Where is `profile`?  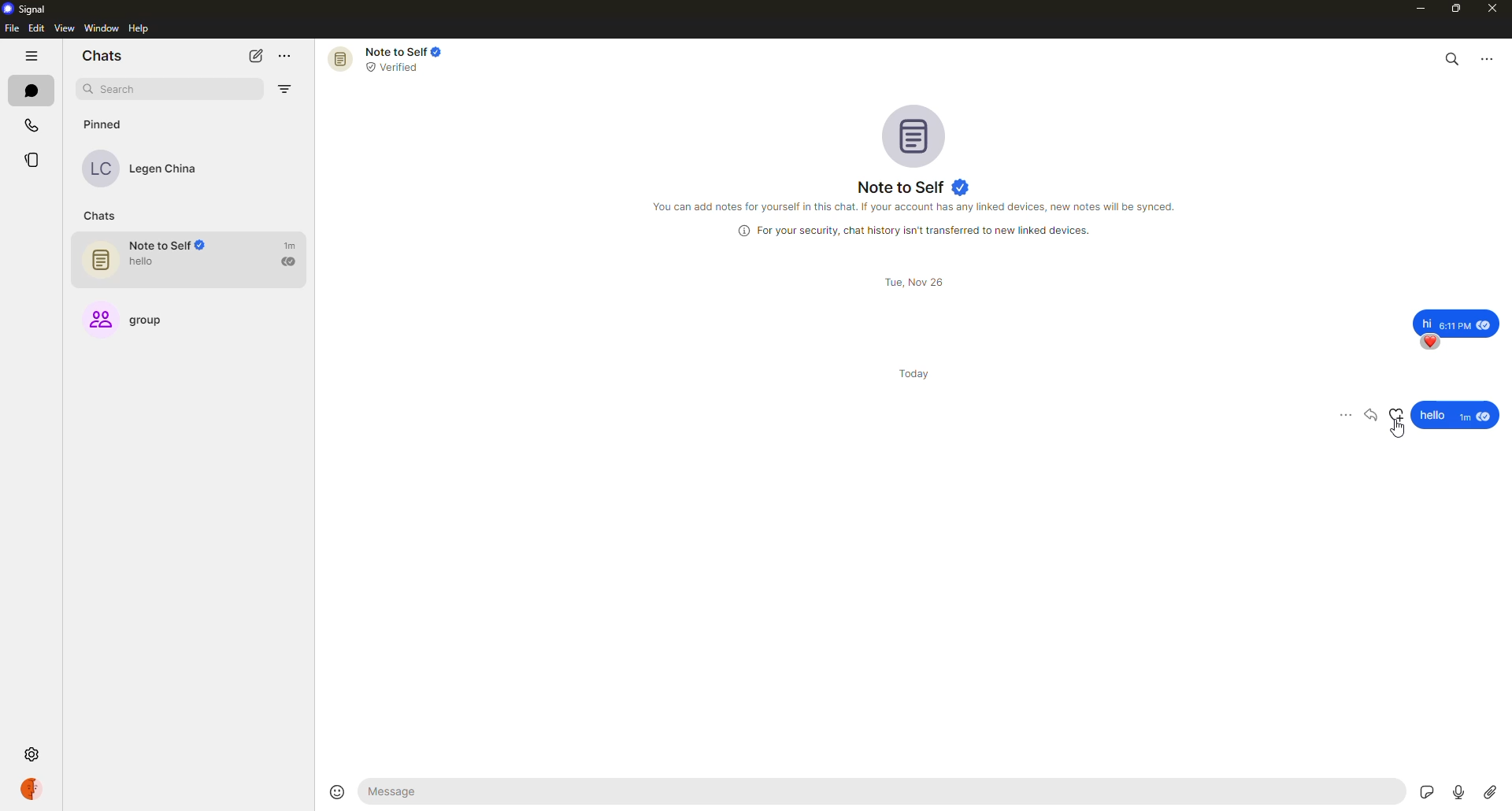 profile is located at coordinates (31, 787).